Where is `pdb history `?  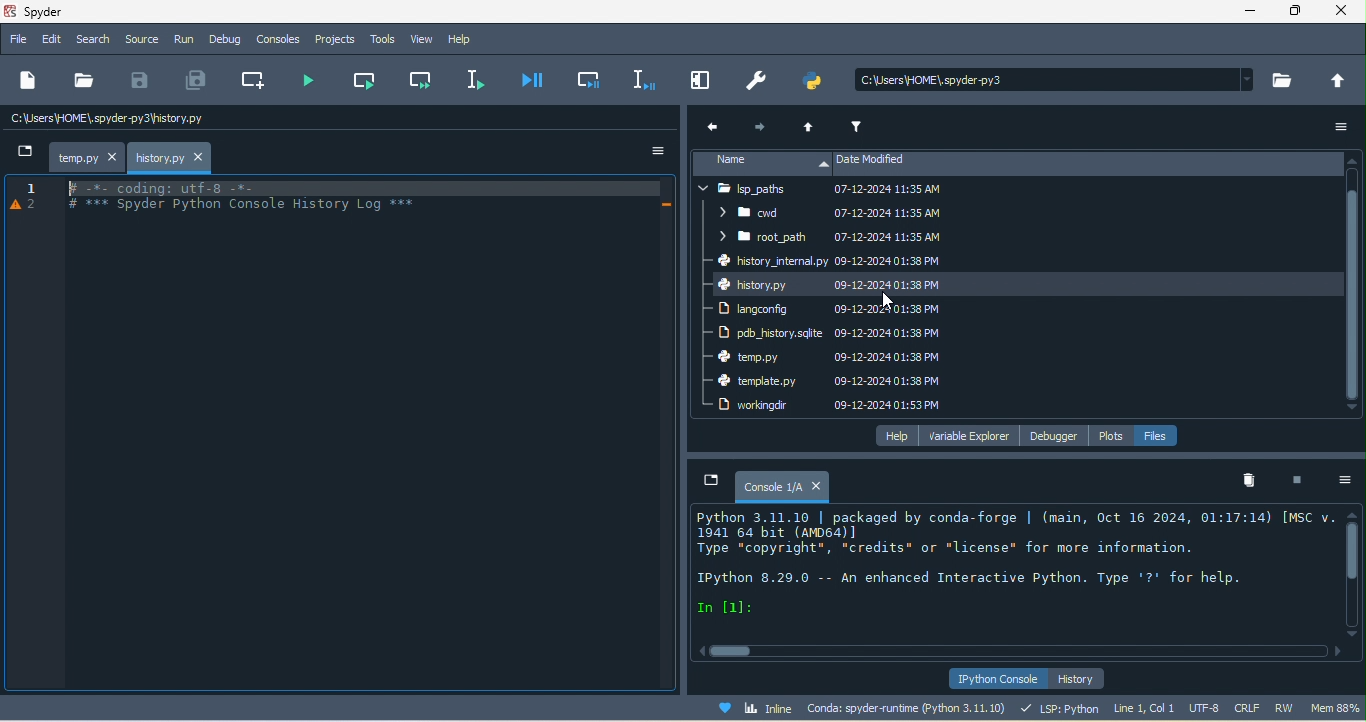
pdb history  is located at coordinates (767, 333).